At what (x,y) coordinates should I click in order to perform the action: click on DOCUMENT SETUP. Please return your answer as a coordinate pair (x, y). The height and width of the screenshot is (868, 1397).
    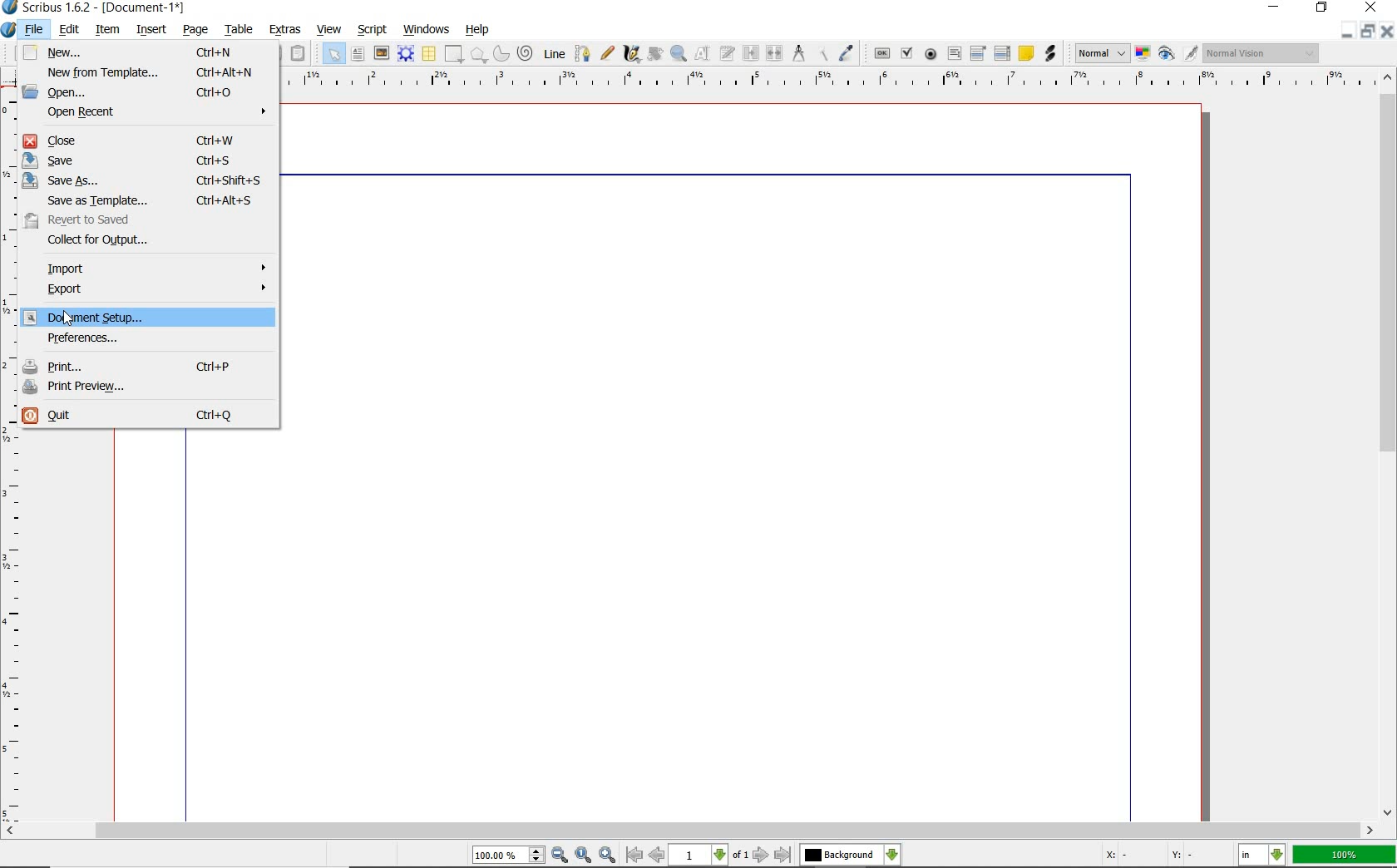
    Looking at the image, I should click on (146, 316).